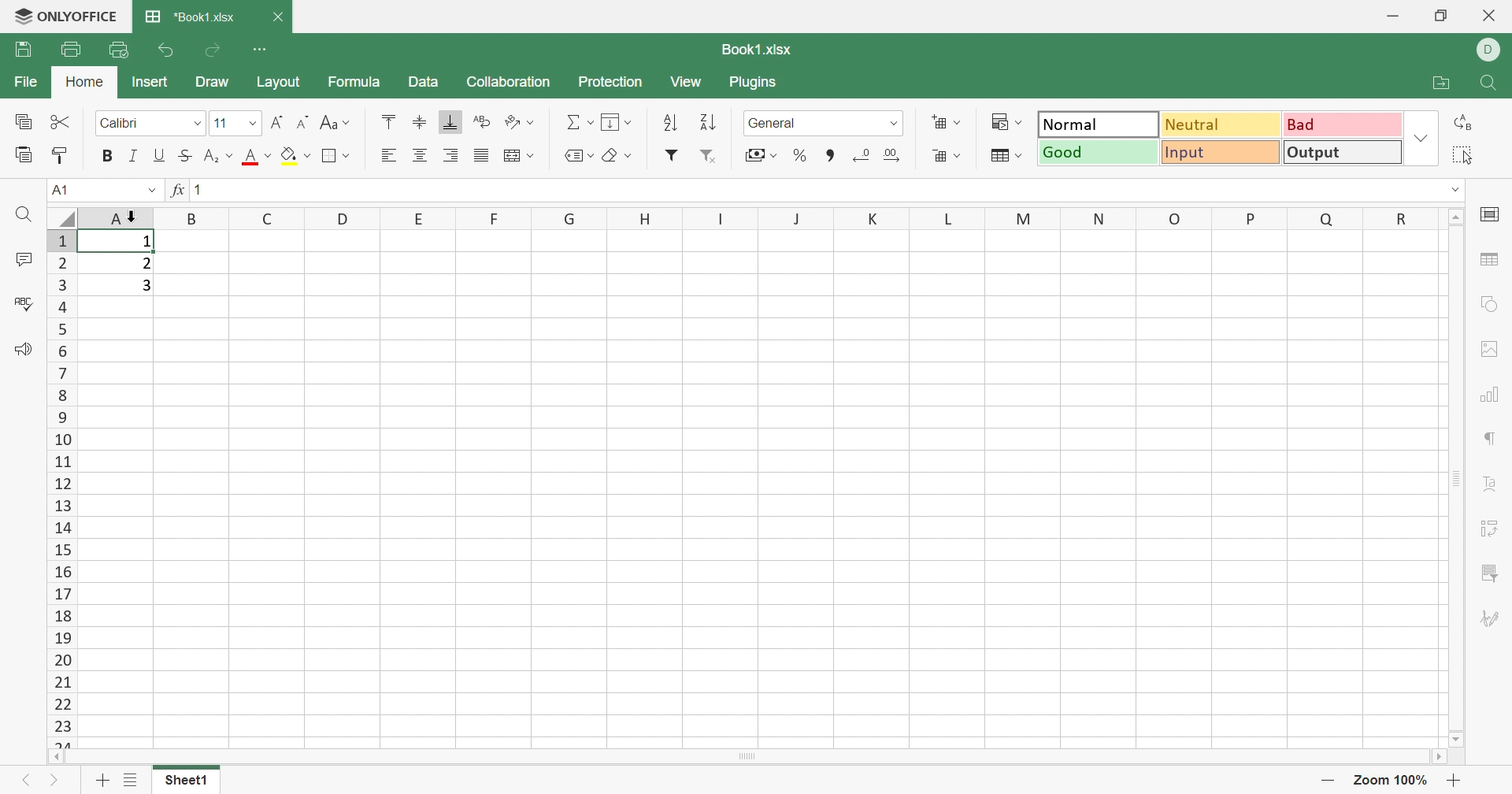  What do you see at coordinates (1492, 50) in the screenshot?
I see `DELL` at bounding box center [1492, 50].